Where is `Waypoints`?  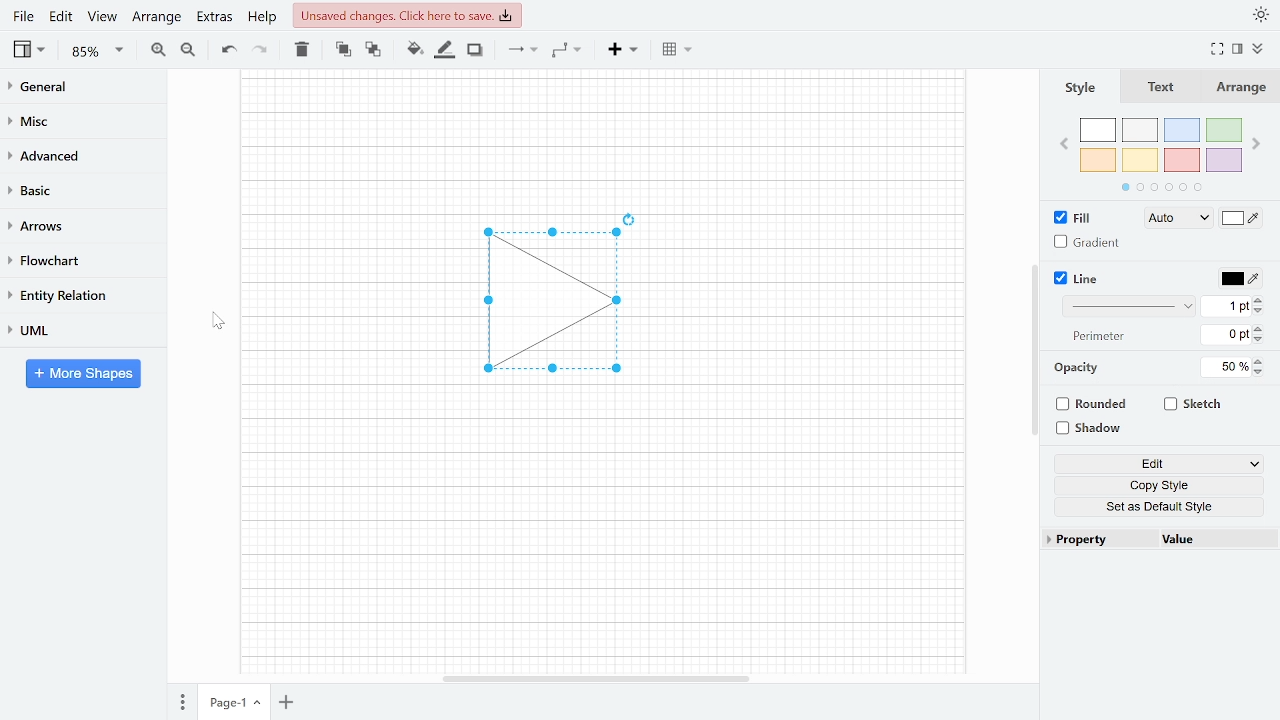
Waypoints is located at coordinates (568, 49).